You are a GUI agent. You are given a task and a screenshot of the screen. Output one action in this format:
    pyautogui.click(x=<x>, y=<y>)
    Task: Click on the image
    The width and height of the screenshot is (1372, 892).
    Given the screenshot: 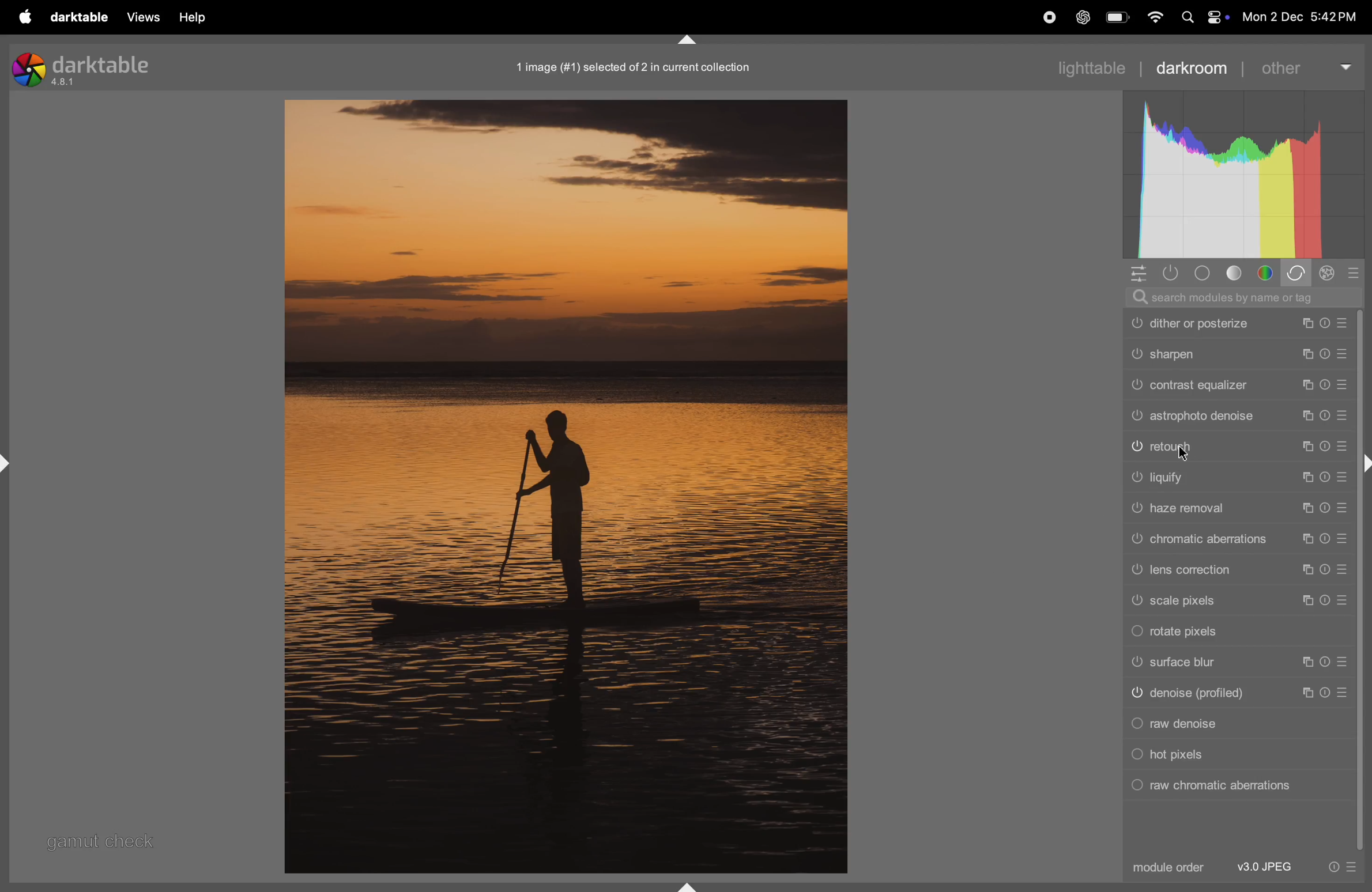 What is the action you would take?
    pyautogui.click(x=564, y=486)
    